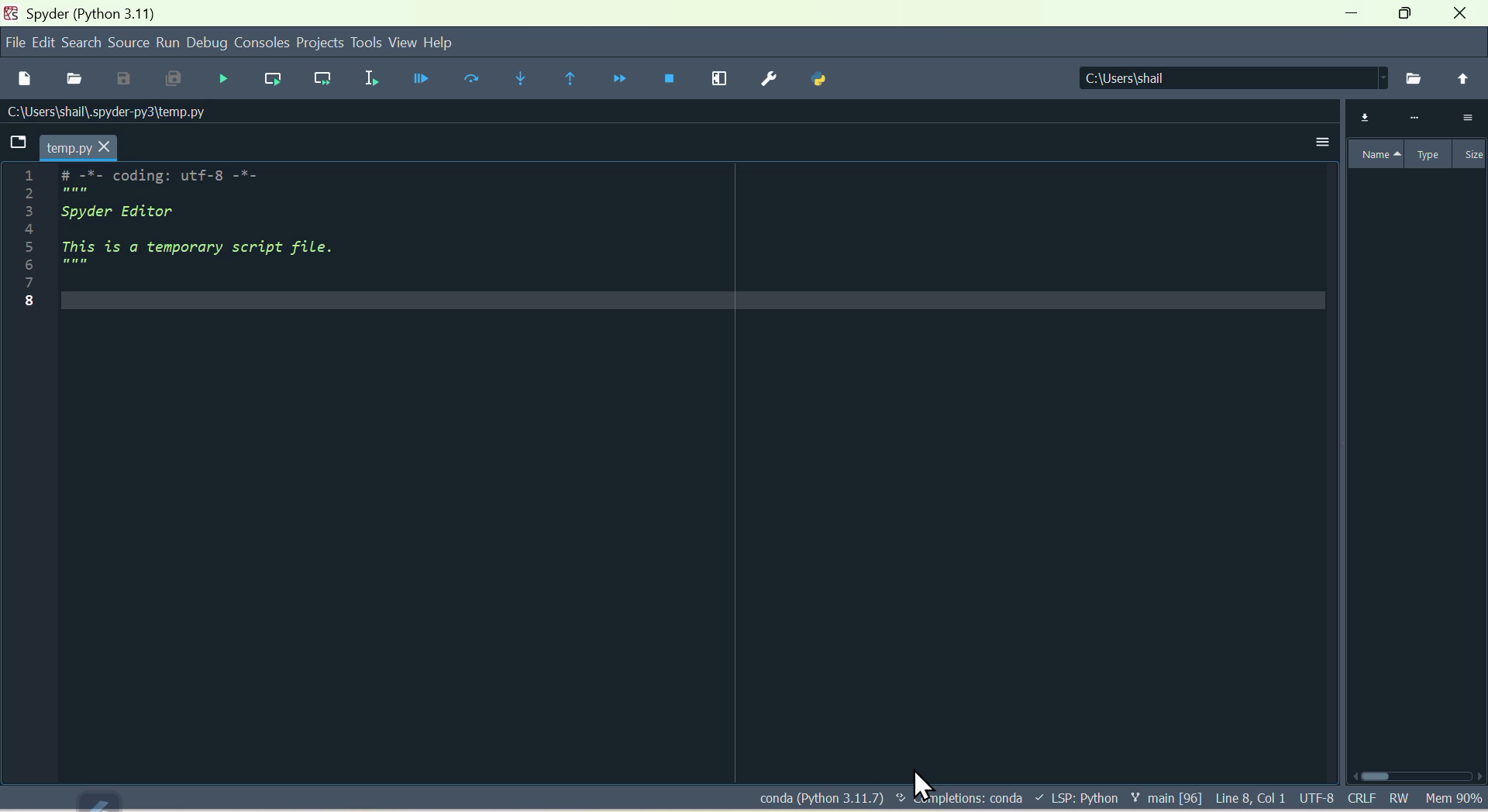 The height and width of the screenshot is (812, 1488). I want to click on , so click(421, 80).